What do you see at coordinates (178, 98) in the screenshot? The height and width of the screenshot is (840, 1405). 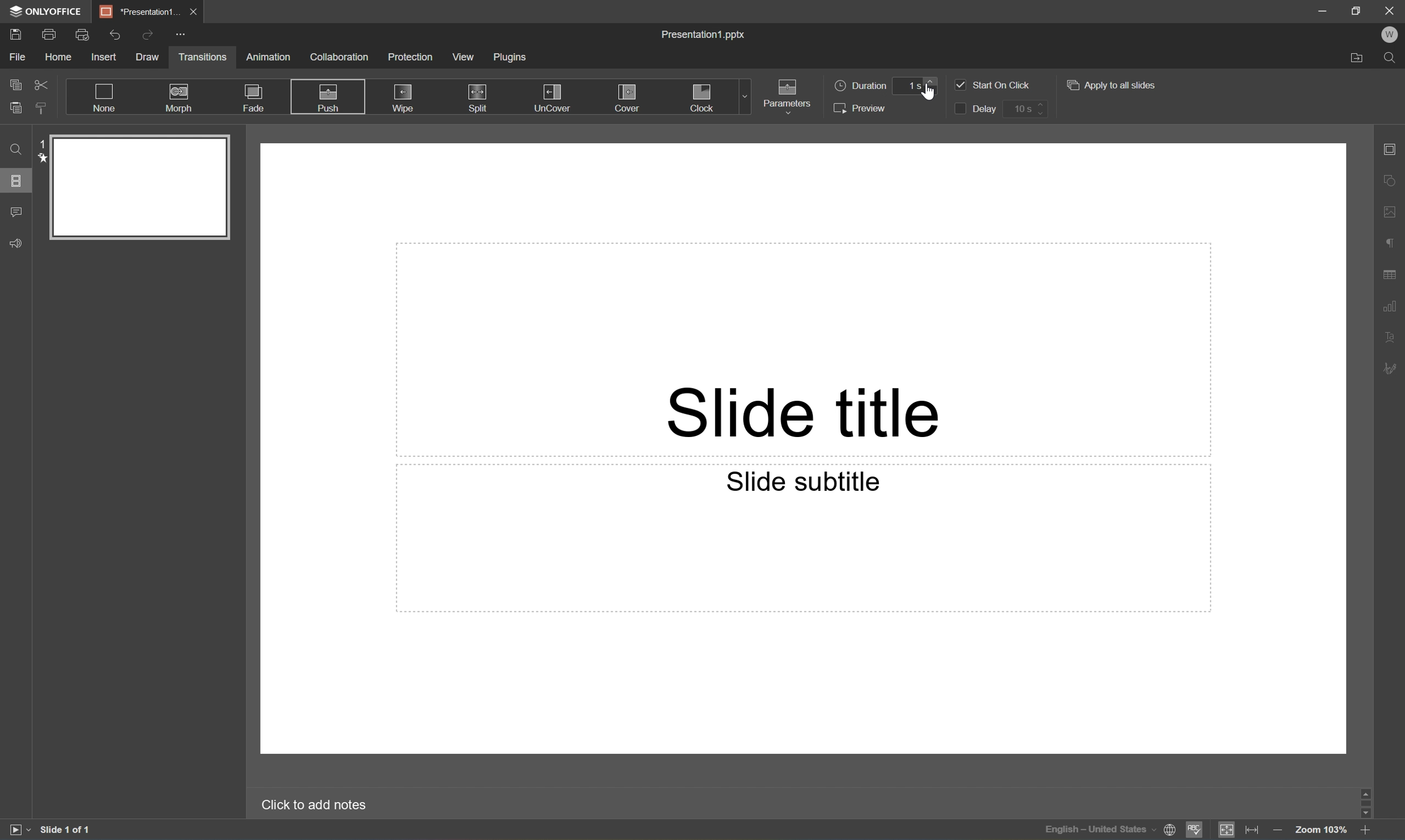 I see `Morph` at bounding box center [178, 98].